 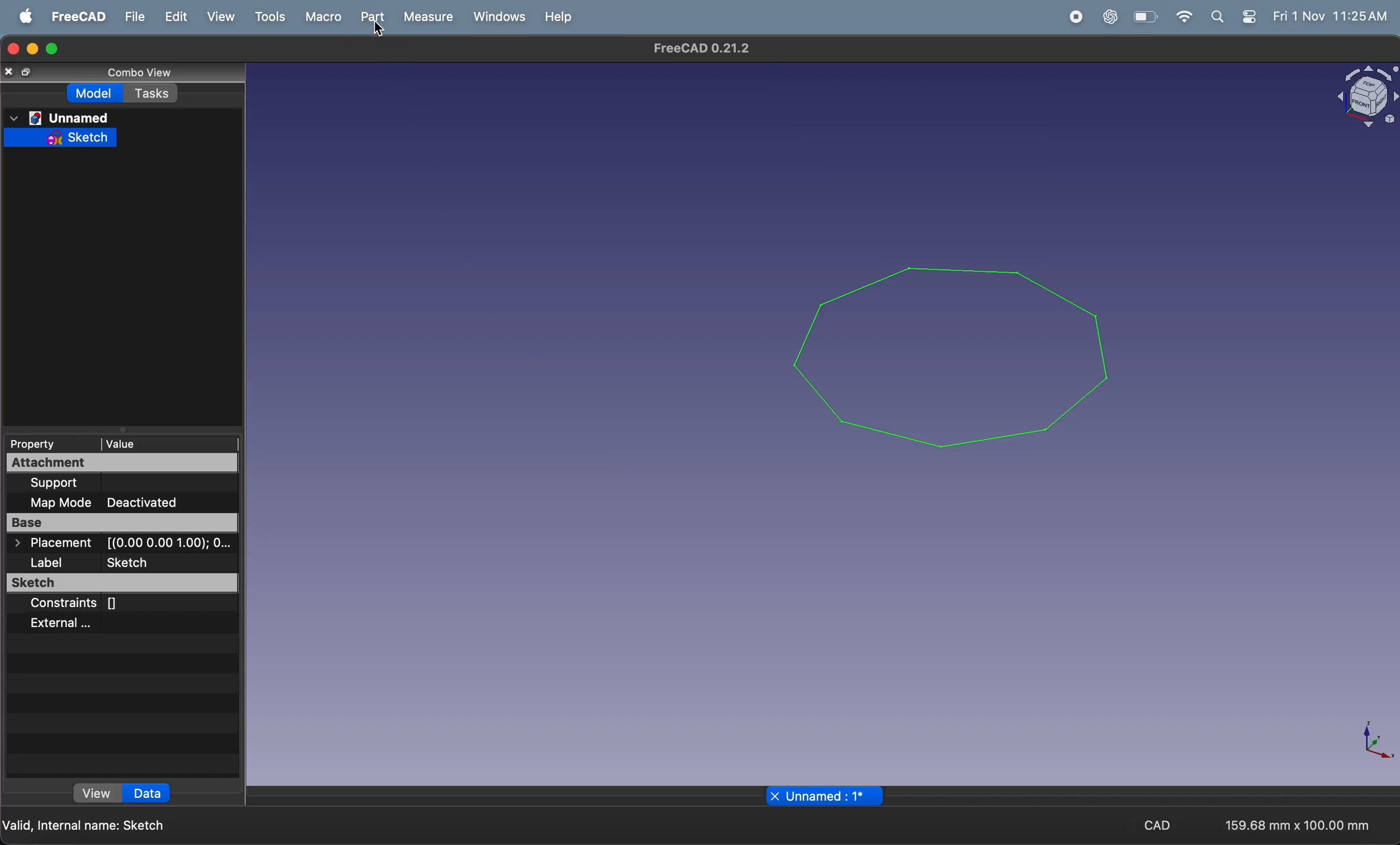 I want to click on view, so click(x=219, y=17).